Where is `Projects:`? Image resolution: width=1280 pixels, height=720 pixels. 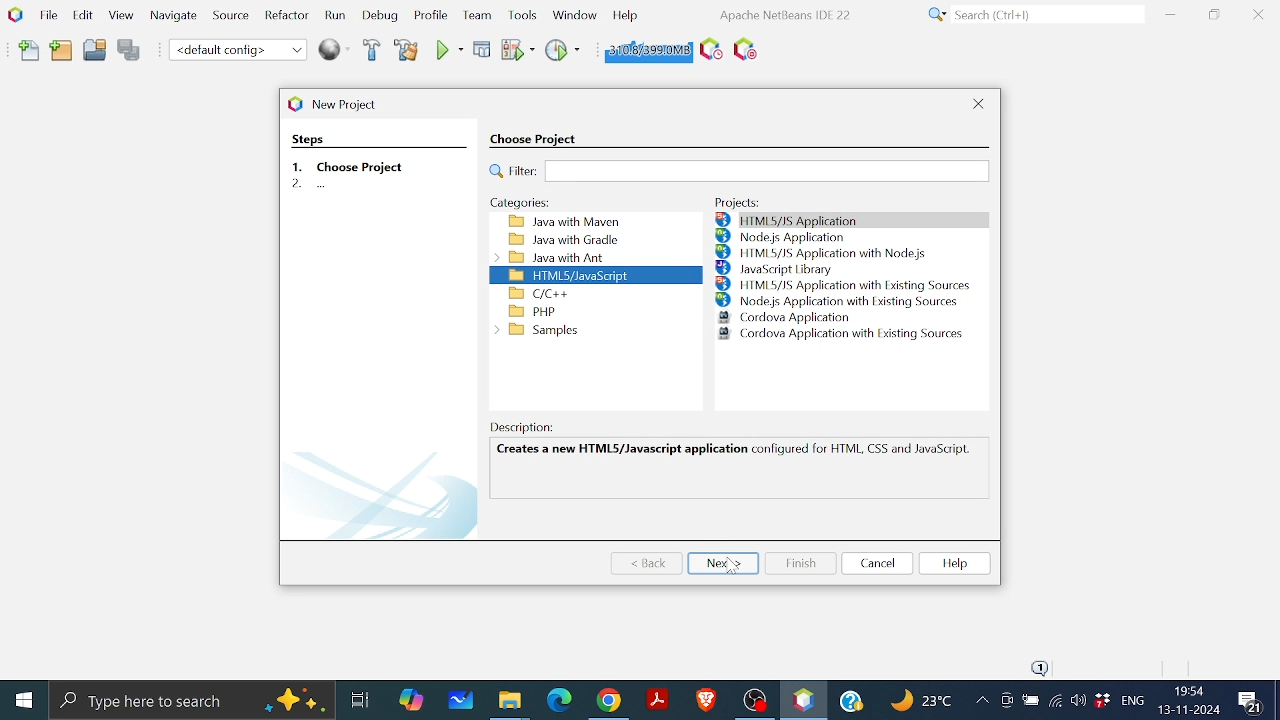 Projects: is located at coordinates (743, 201).